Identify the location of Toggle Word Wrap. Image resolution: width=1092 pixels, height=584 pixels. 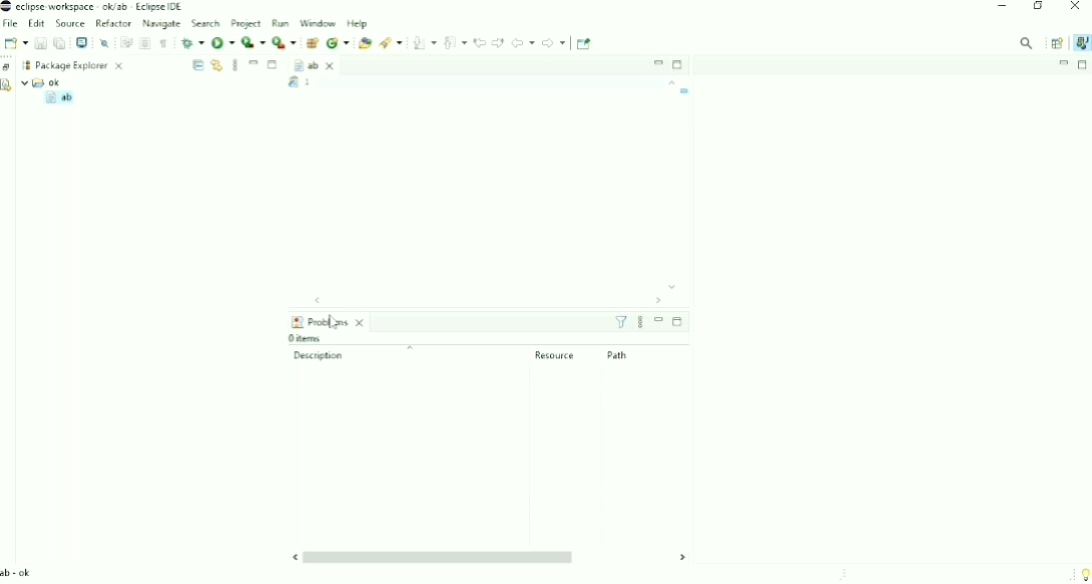
(125, 42).